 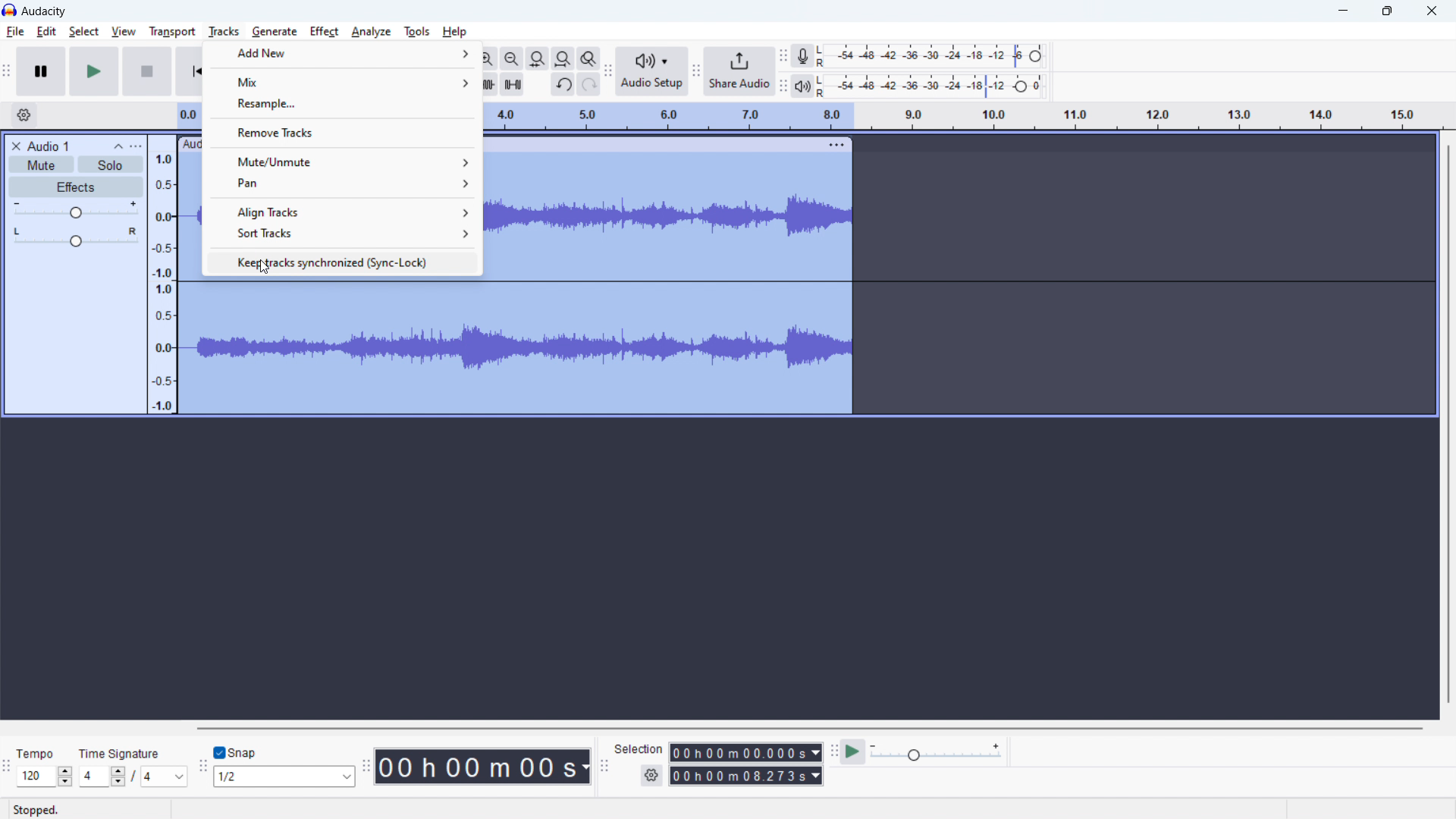 What do you see at coordinates (803, 85) in the screenshot?
I see `playback meter` at bounding box center [803, 85].